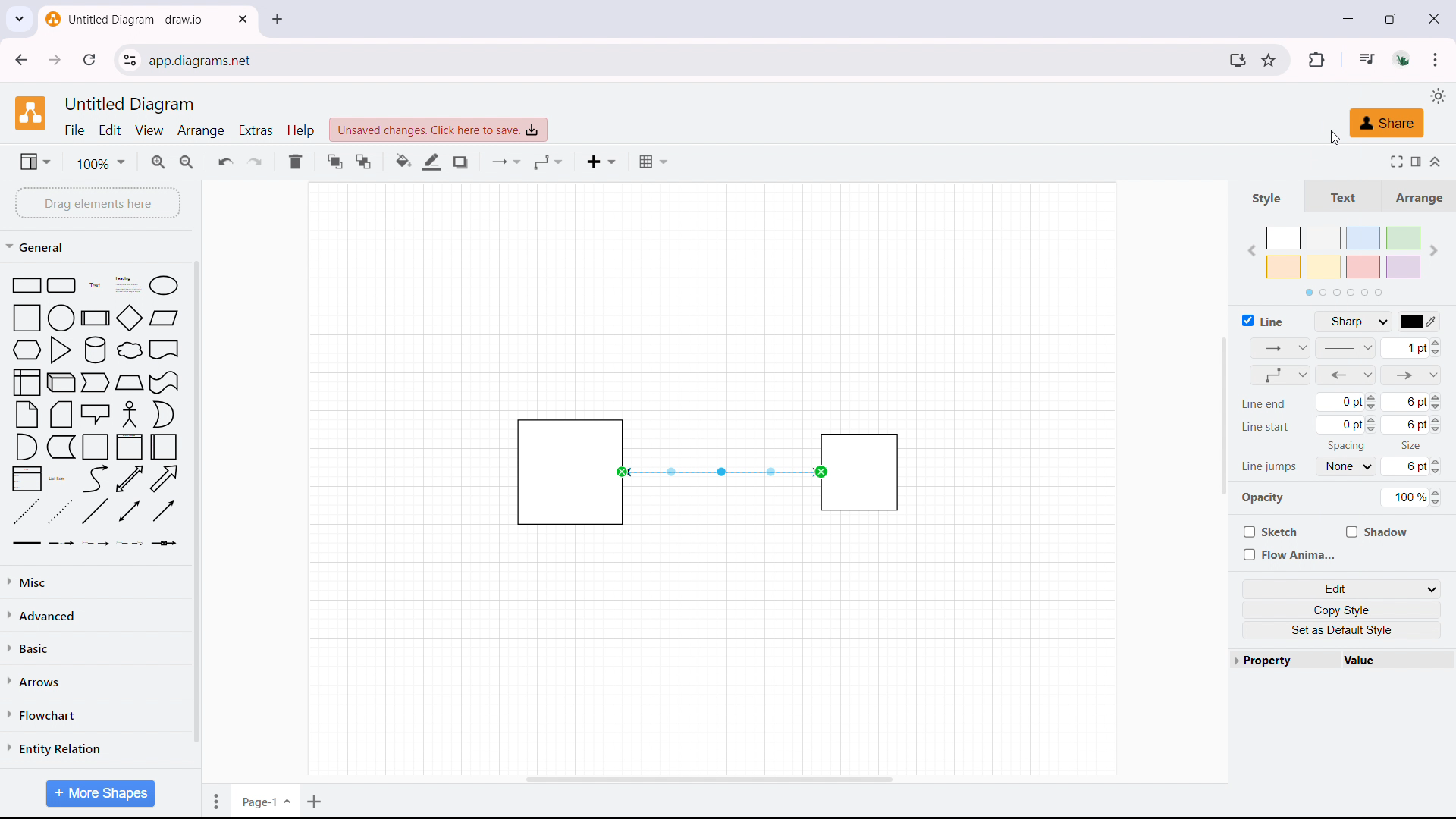  Describe the element at coordinates (1378, 532) in the screenshot. I see `shadow` at that location.